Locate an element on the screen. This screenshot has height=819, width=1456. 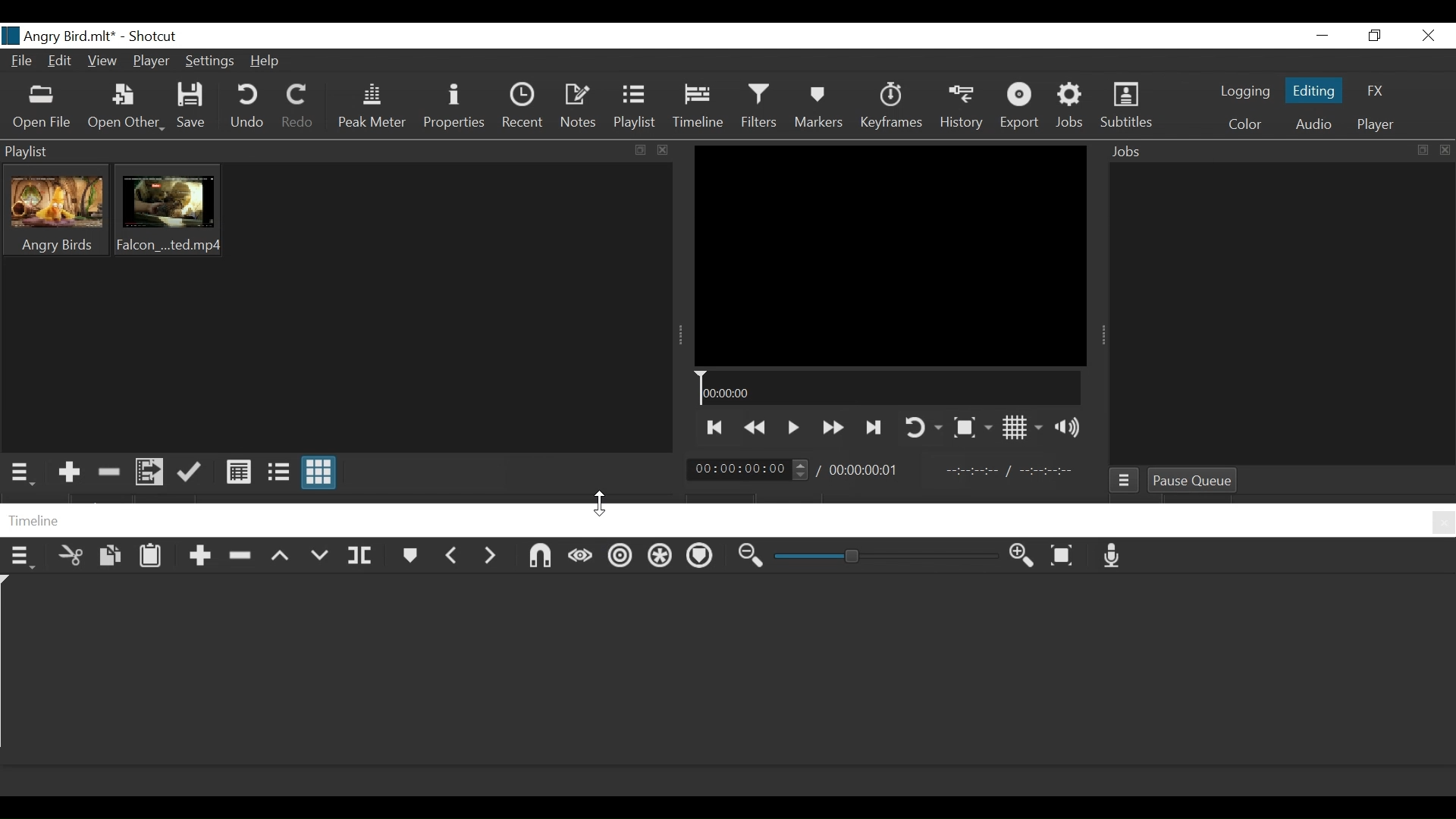
Ripple markers is located at coordinates (704, 557).